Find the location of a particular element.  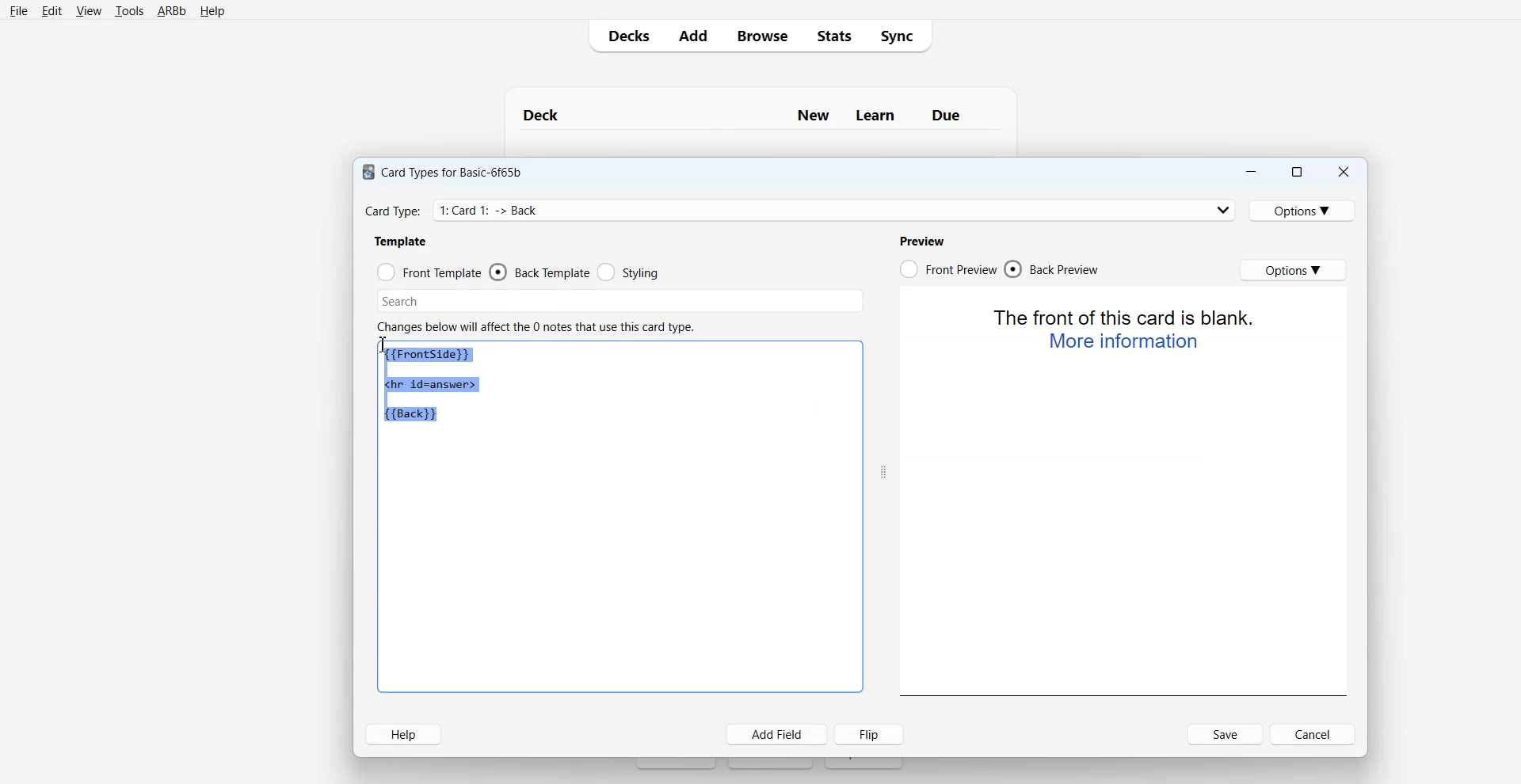

Browse is located at coordinates (760, 36).